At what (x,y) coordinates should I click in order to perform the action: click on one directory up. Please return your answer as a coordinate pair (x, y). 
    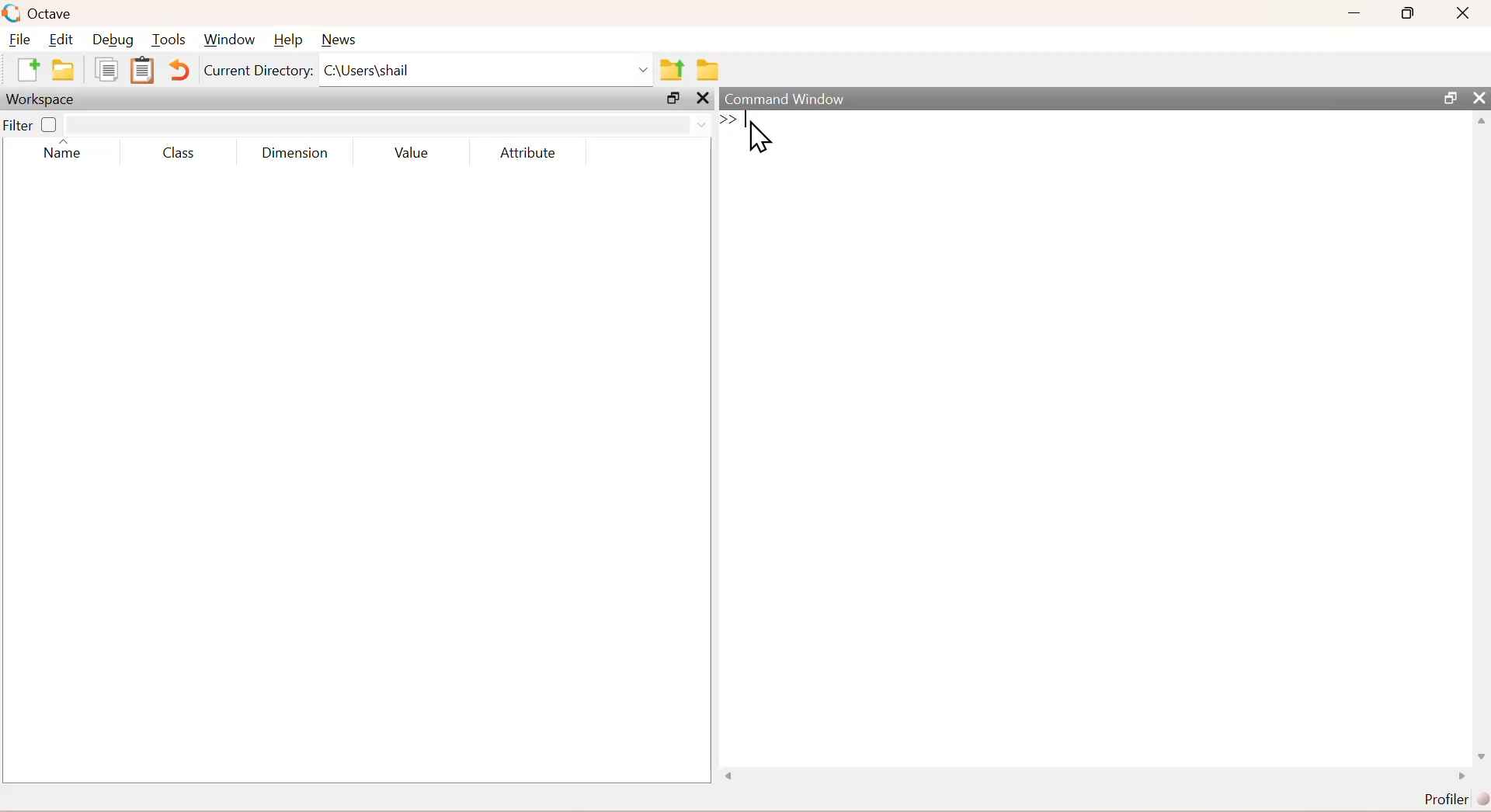
    Looking at the image, I should click on (671, 70).